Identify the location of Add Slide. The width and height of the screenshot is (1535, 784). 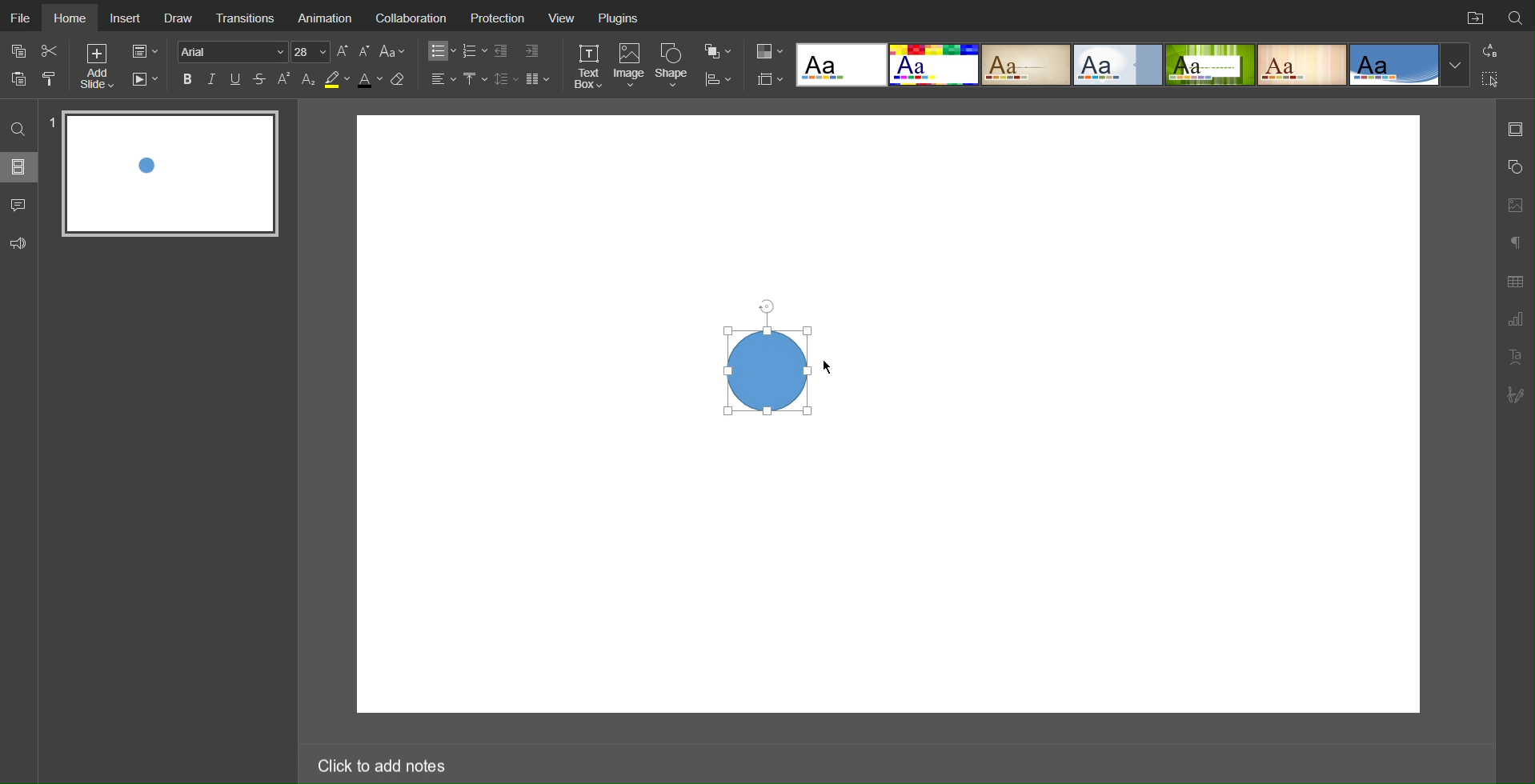
(96, 69).